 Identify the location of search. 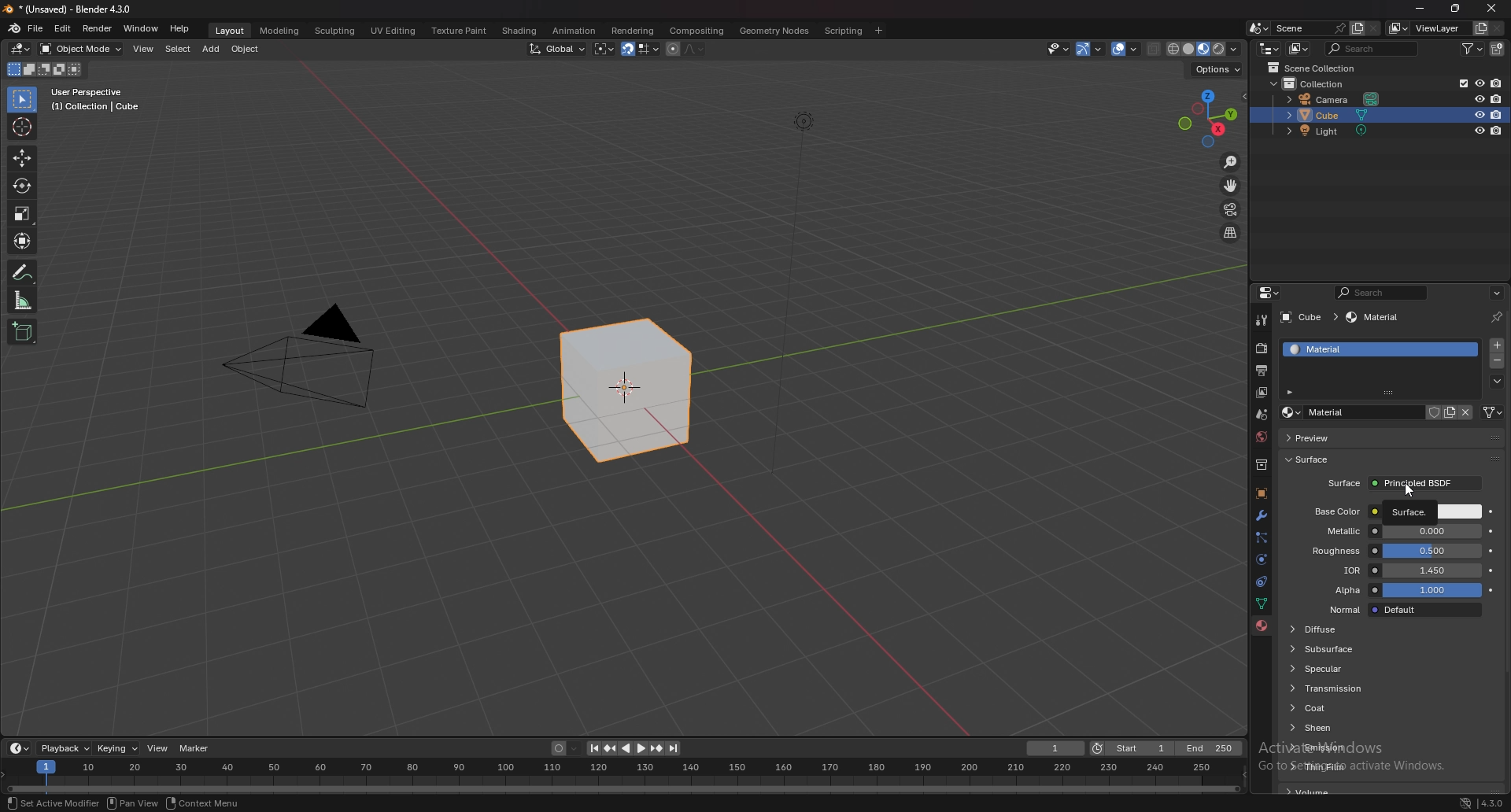
(1375, 48).